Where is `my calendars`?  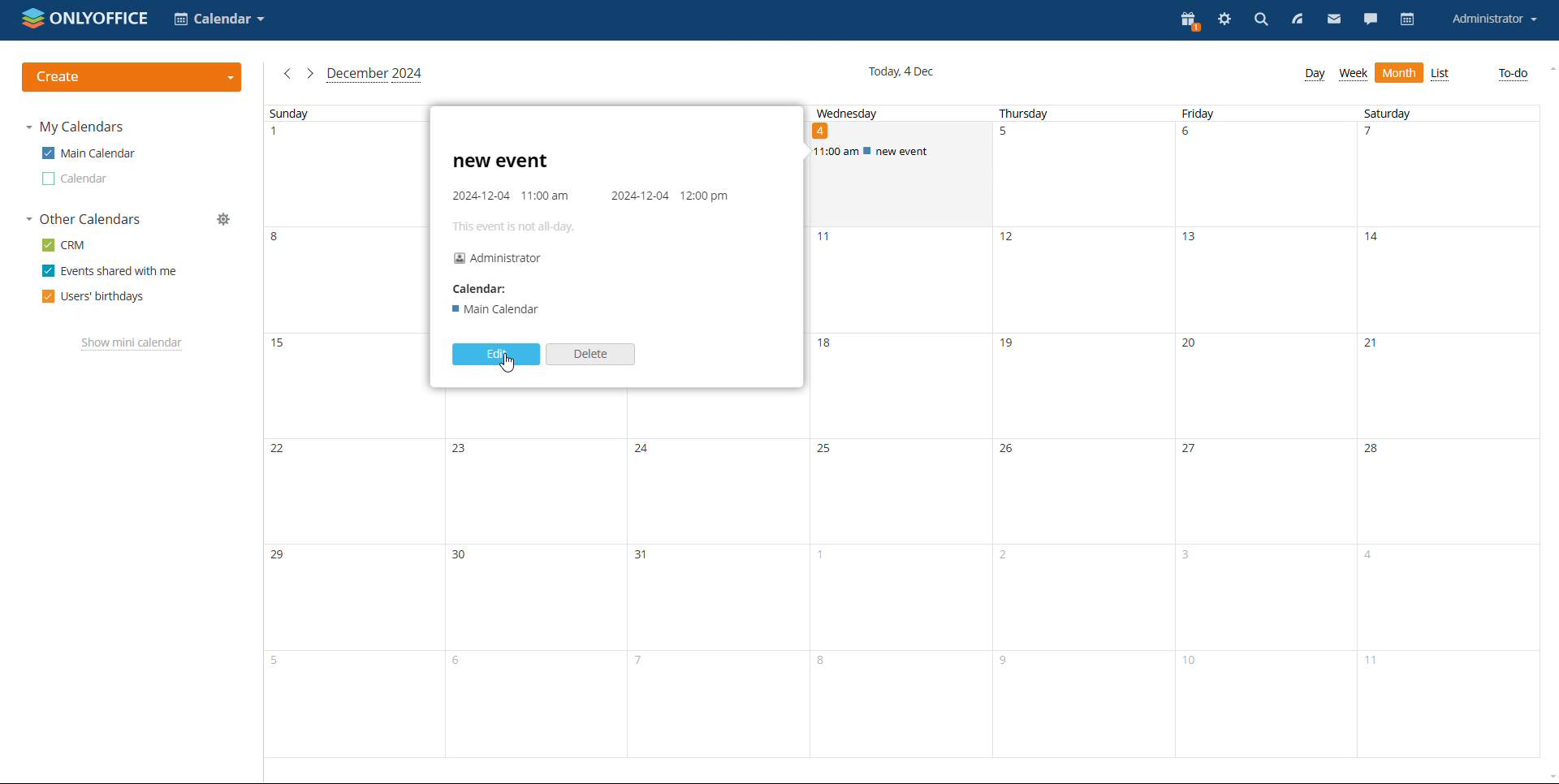
my calendars is located at coordinates (76, 127).